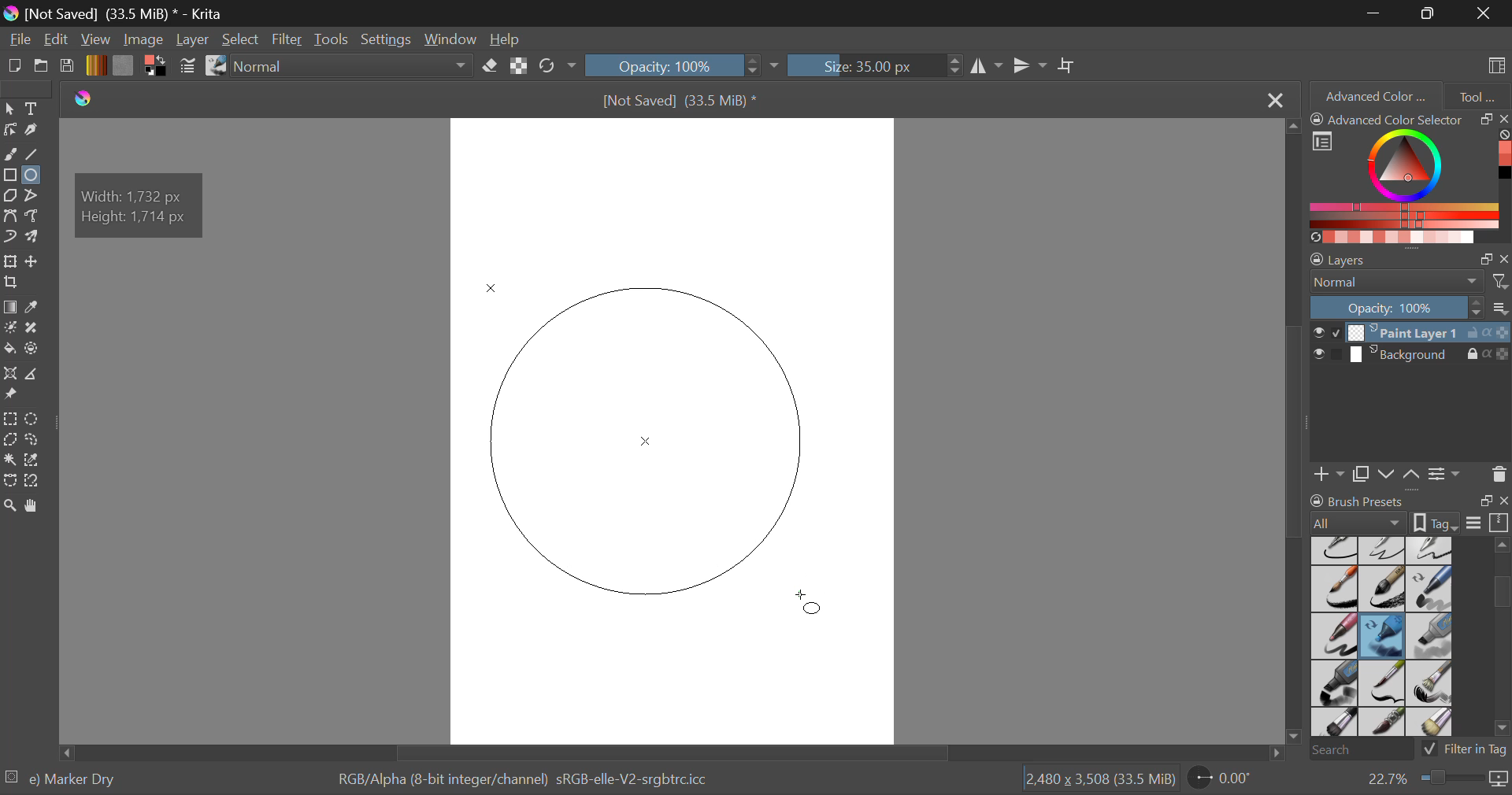 The height and width of the screenshot is (795, 1512). Describe the element at coordinates (215, 67) in the screenshot. I see `Stroke Type` at that location.